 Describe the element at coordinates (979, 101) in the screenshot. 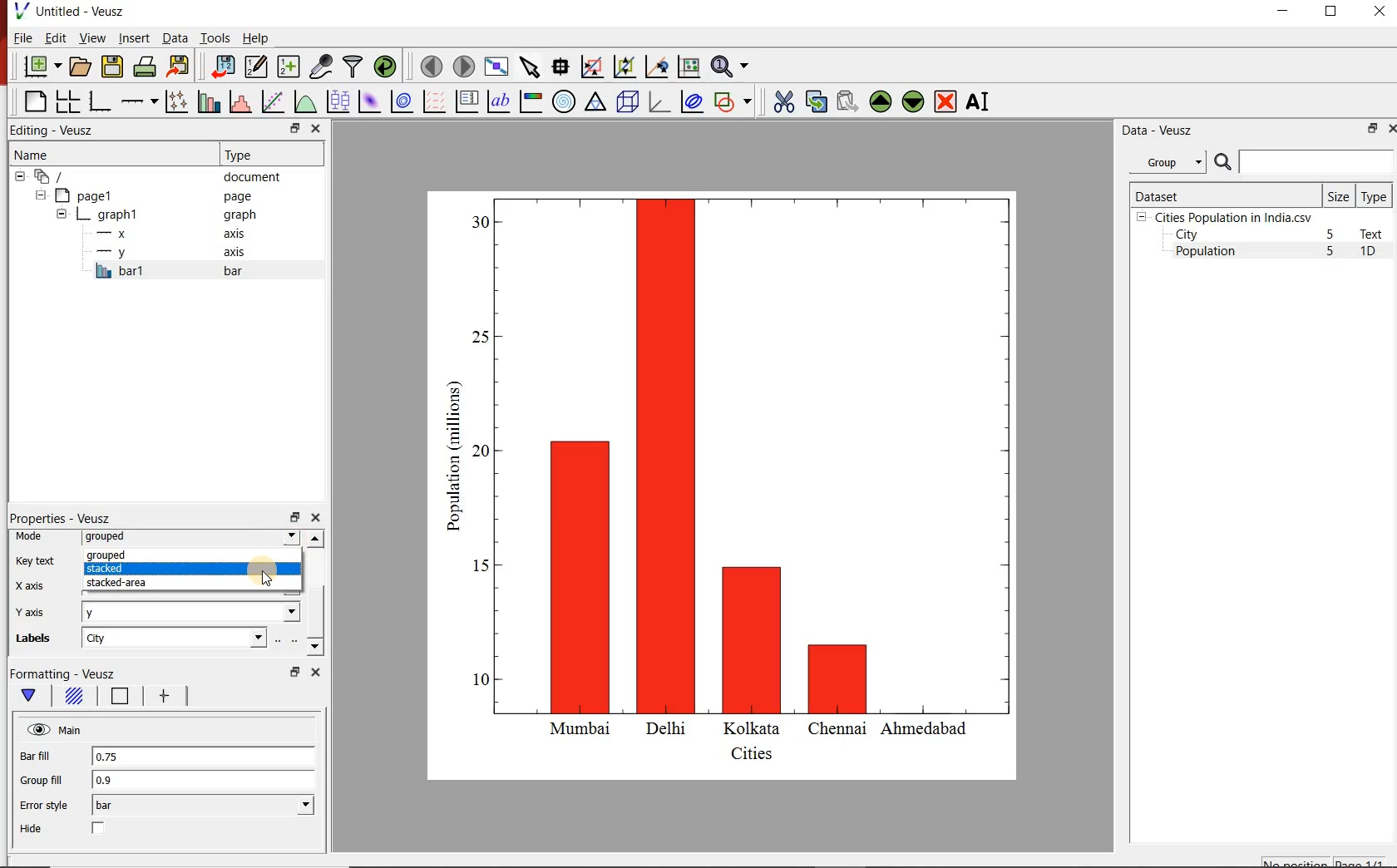

I see `renames the selected widget` at that location.